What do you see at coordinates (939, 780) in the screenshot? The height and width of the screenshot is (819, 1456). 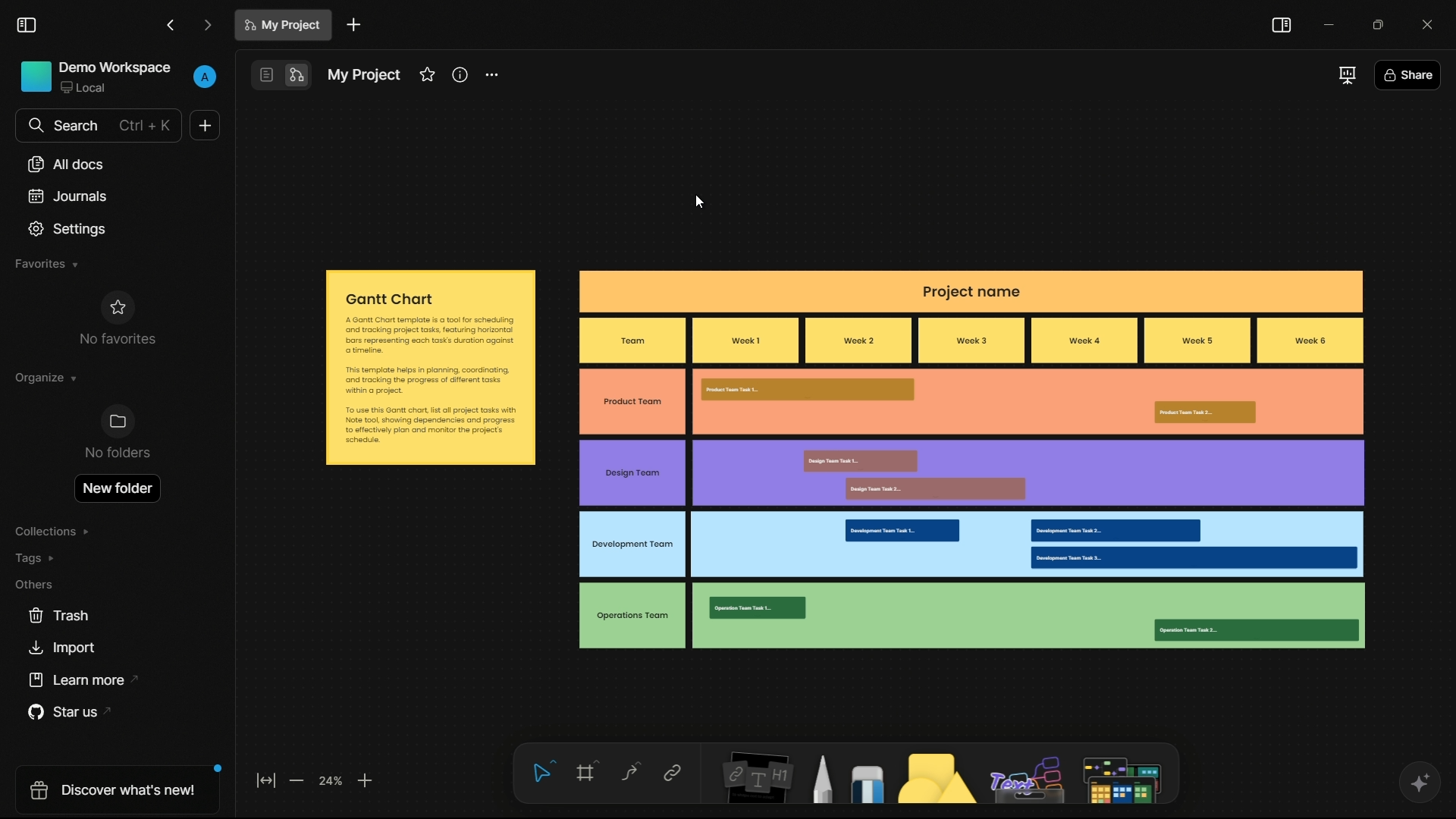 I see `shapes` at bounding box center [939, 780].